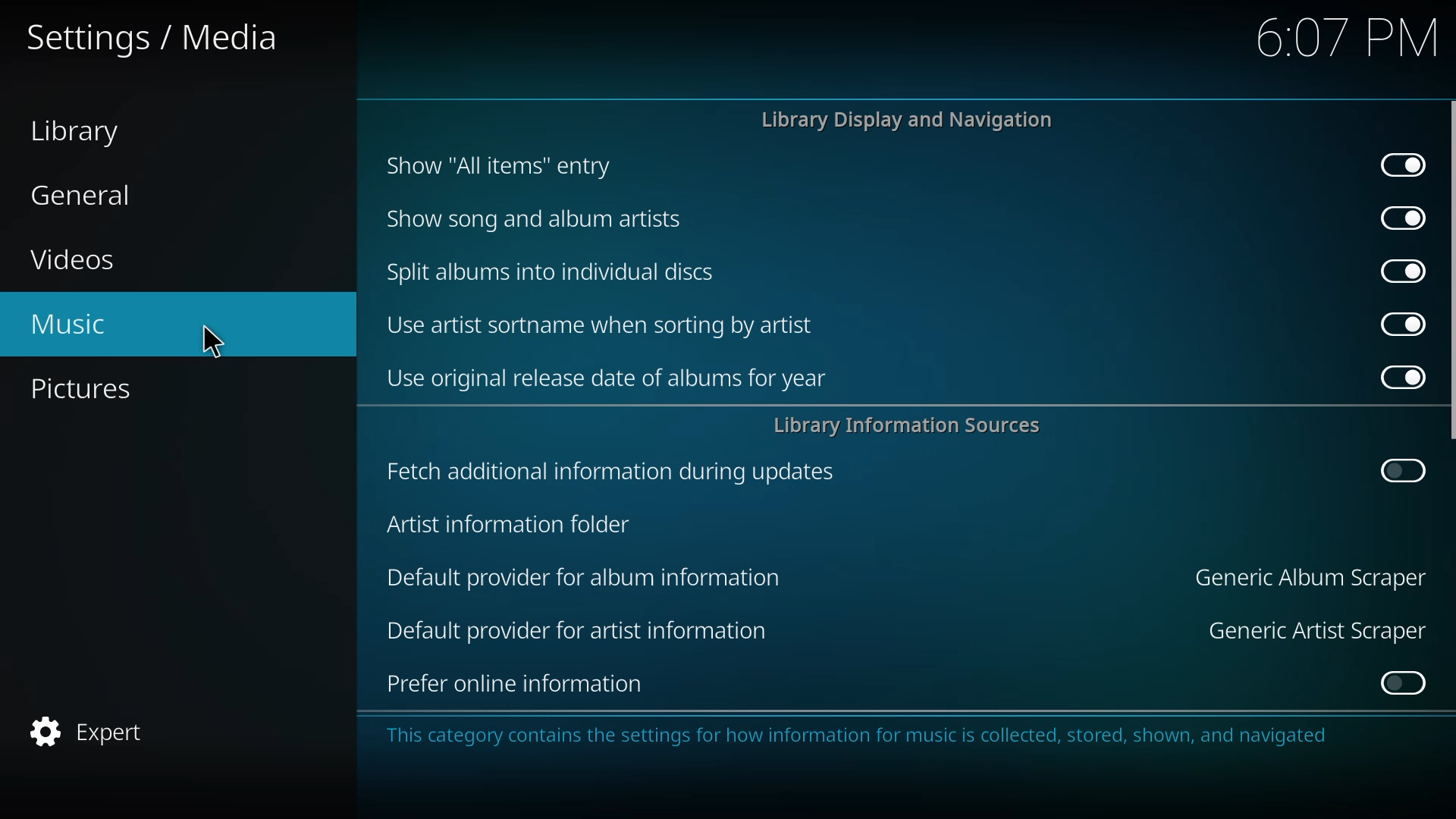 This screenshot has height=819, width=1456. What do you see at coordinates (854, 742) in the screenshot?
I see `This category contains the settings for how information for music is collected, stored, shown, and navigated` at bounding box center [854, 742].